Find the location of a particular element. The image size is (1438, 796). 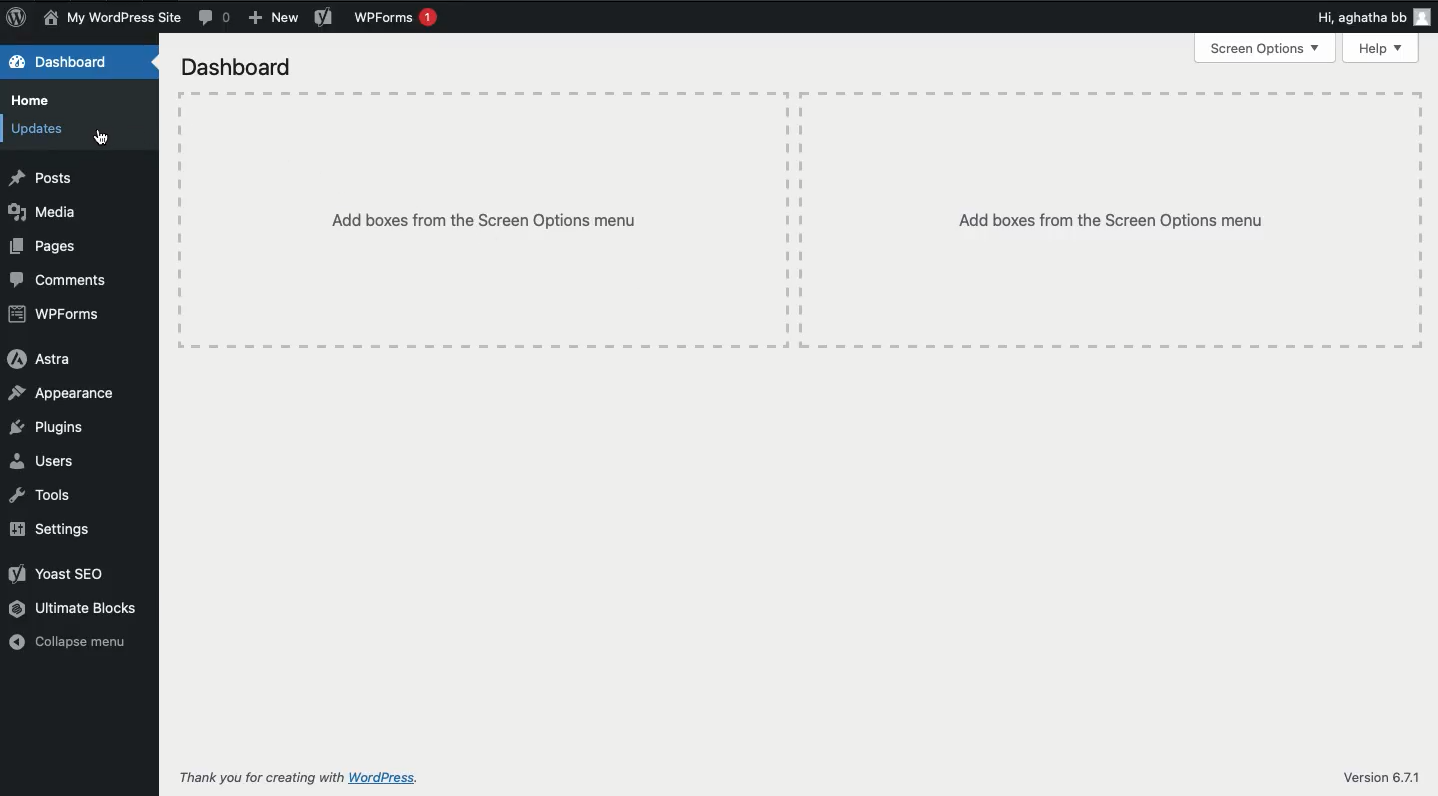

Appearance is located at coordinates (66, 391).